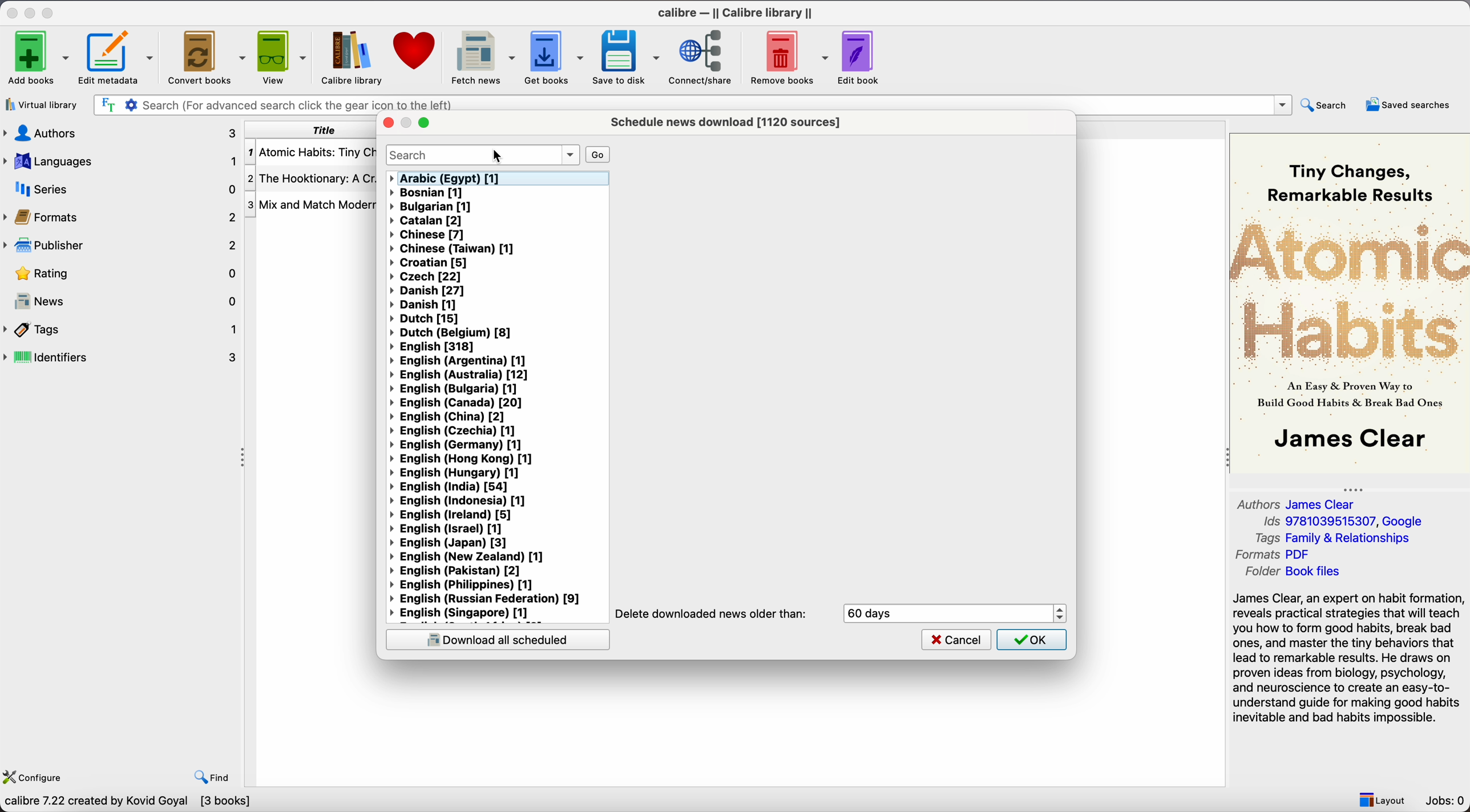  I want to click on edit book, so click(860, 56).